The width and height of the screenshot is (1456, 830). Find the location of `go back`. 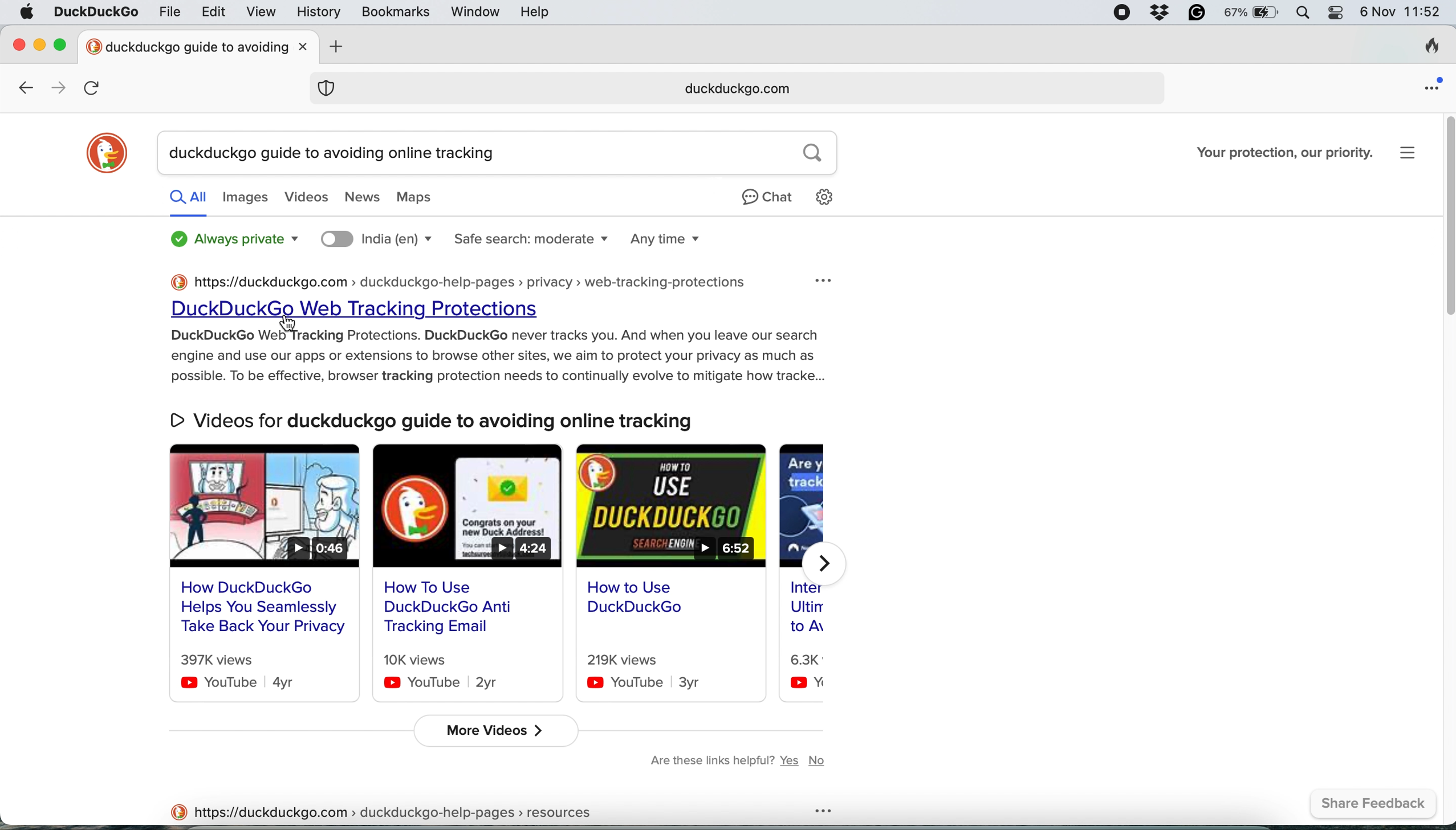

go back is located at coordinates (15, 86).